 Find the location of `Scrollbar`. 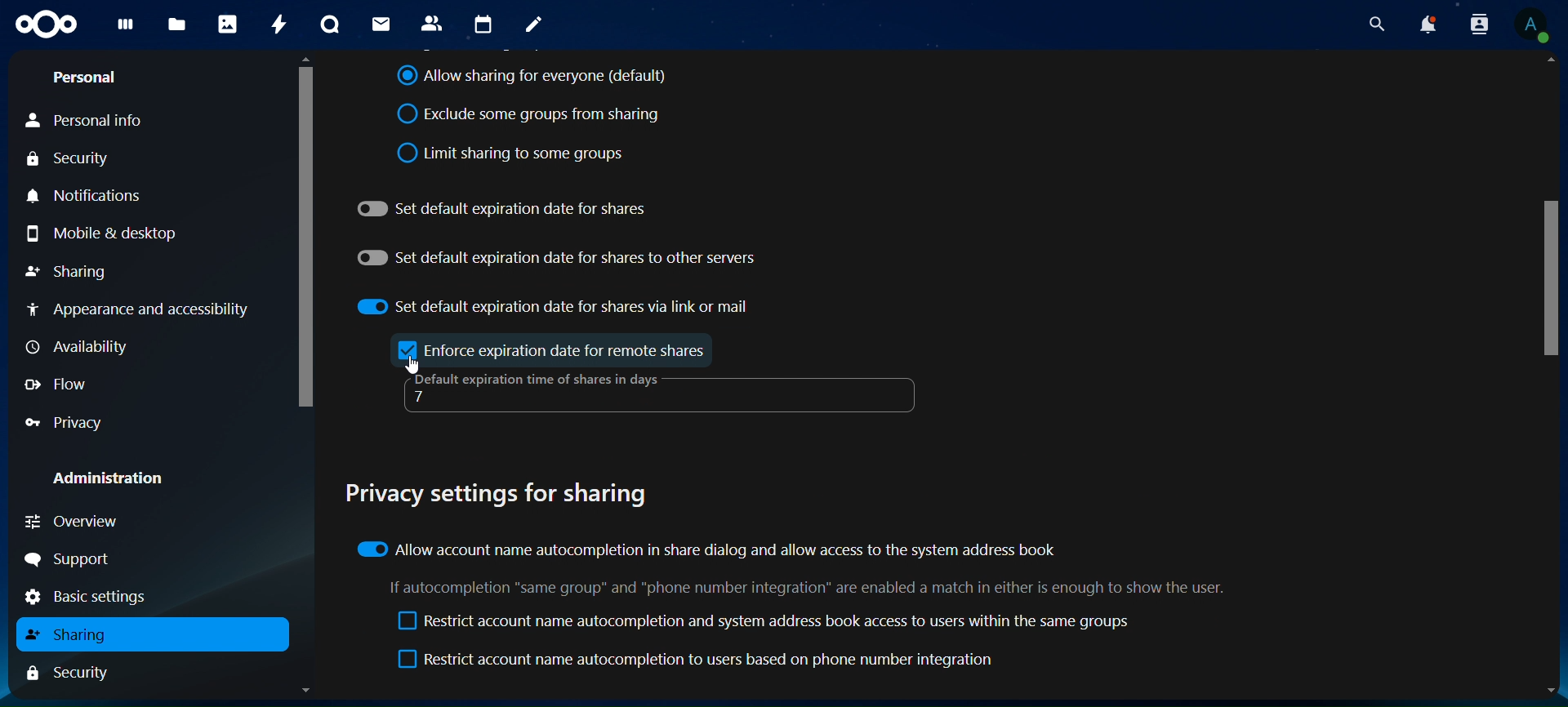

Scrollbar is located at coordinates (301, 378).